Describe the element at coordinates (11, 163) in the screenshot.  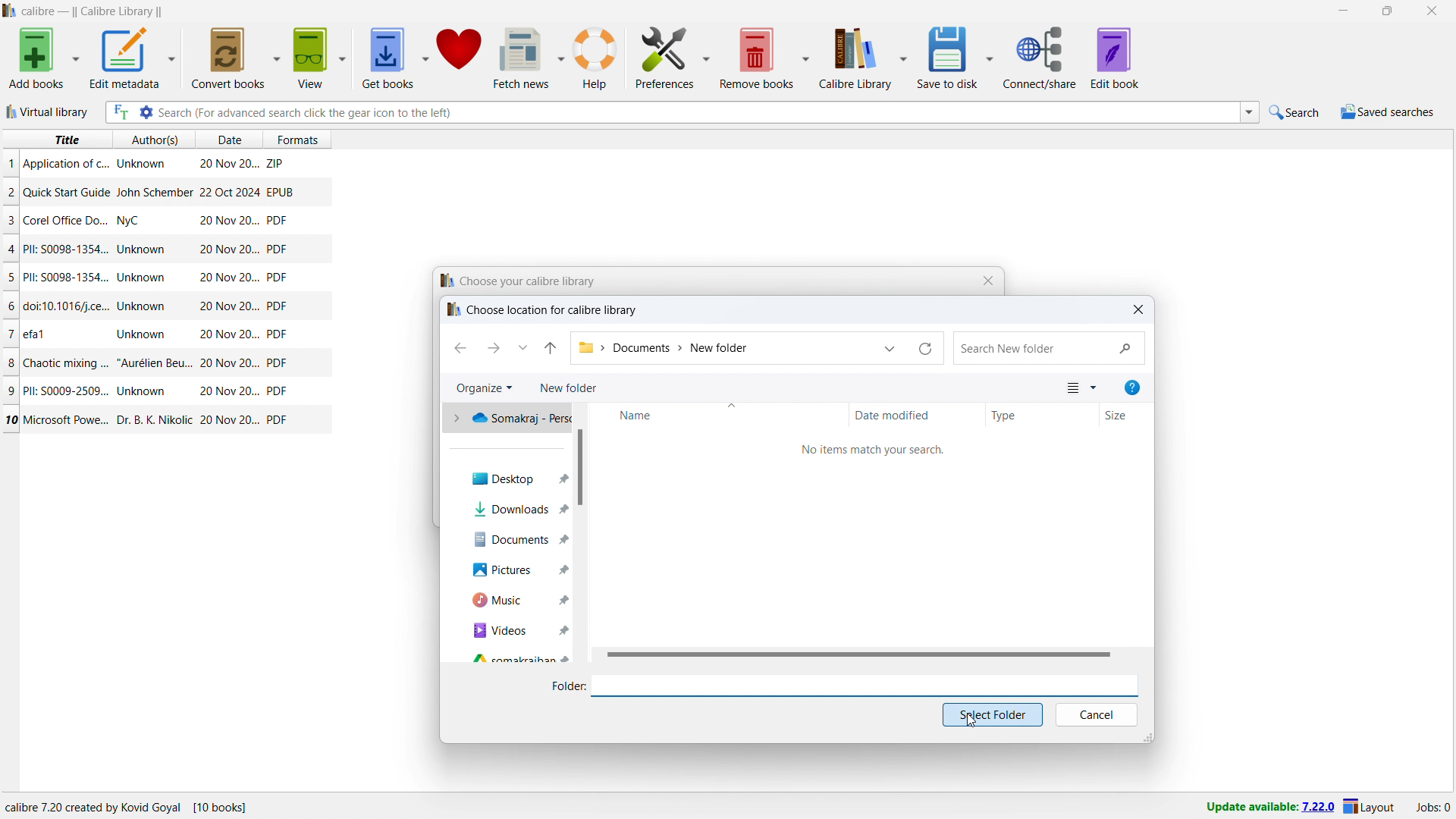
I see `1` at that location.